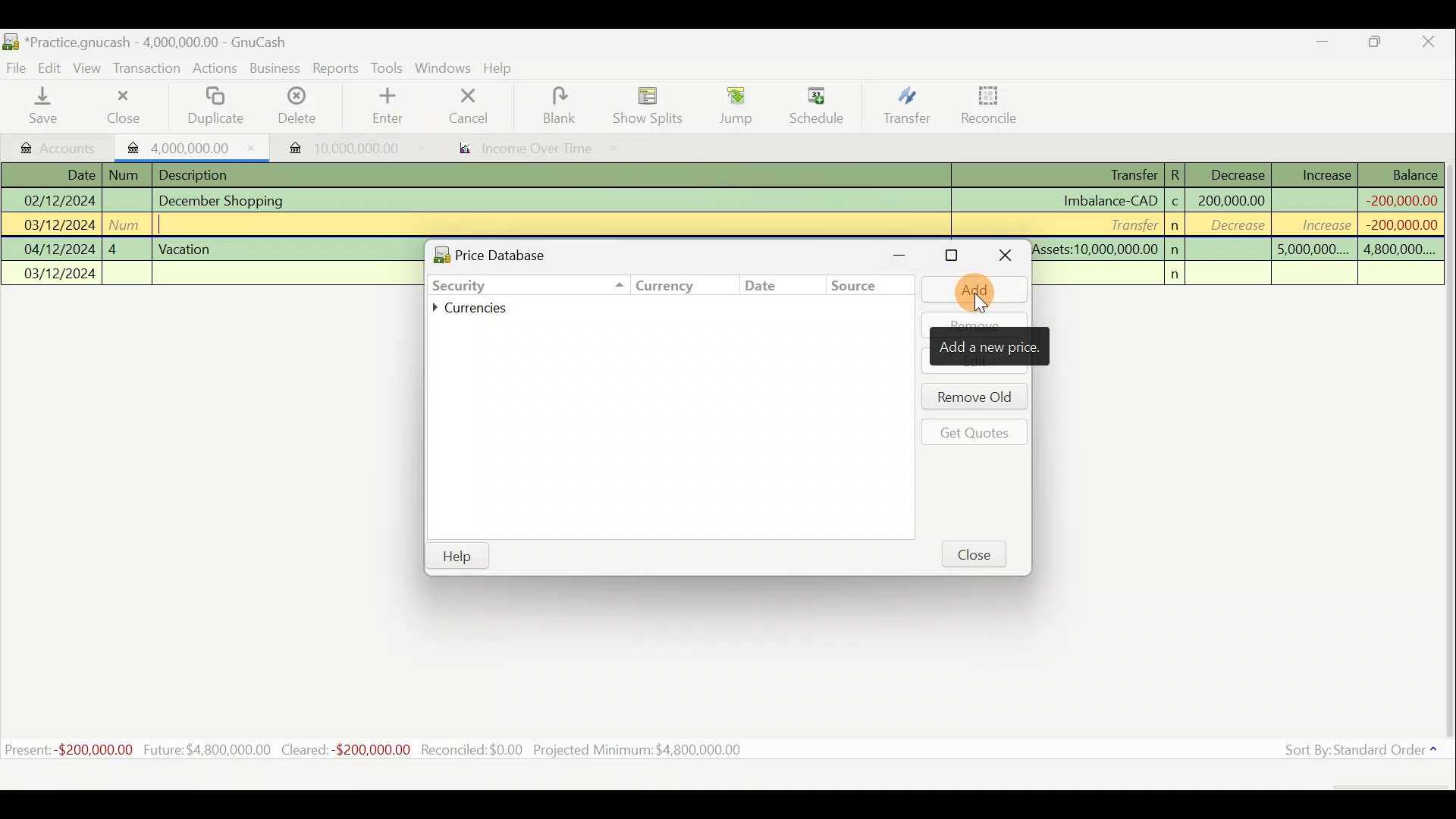  I want to click on Get quotes, so click(971, 431).